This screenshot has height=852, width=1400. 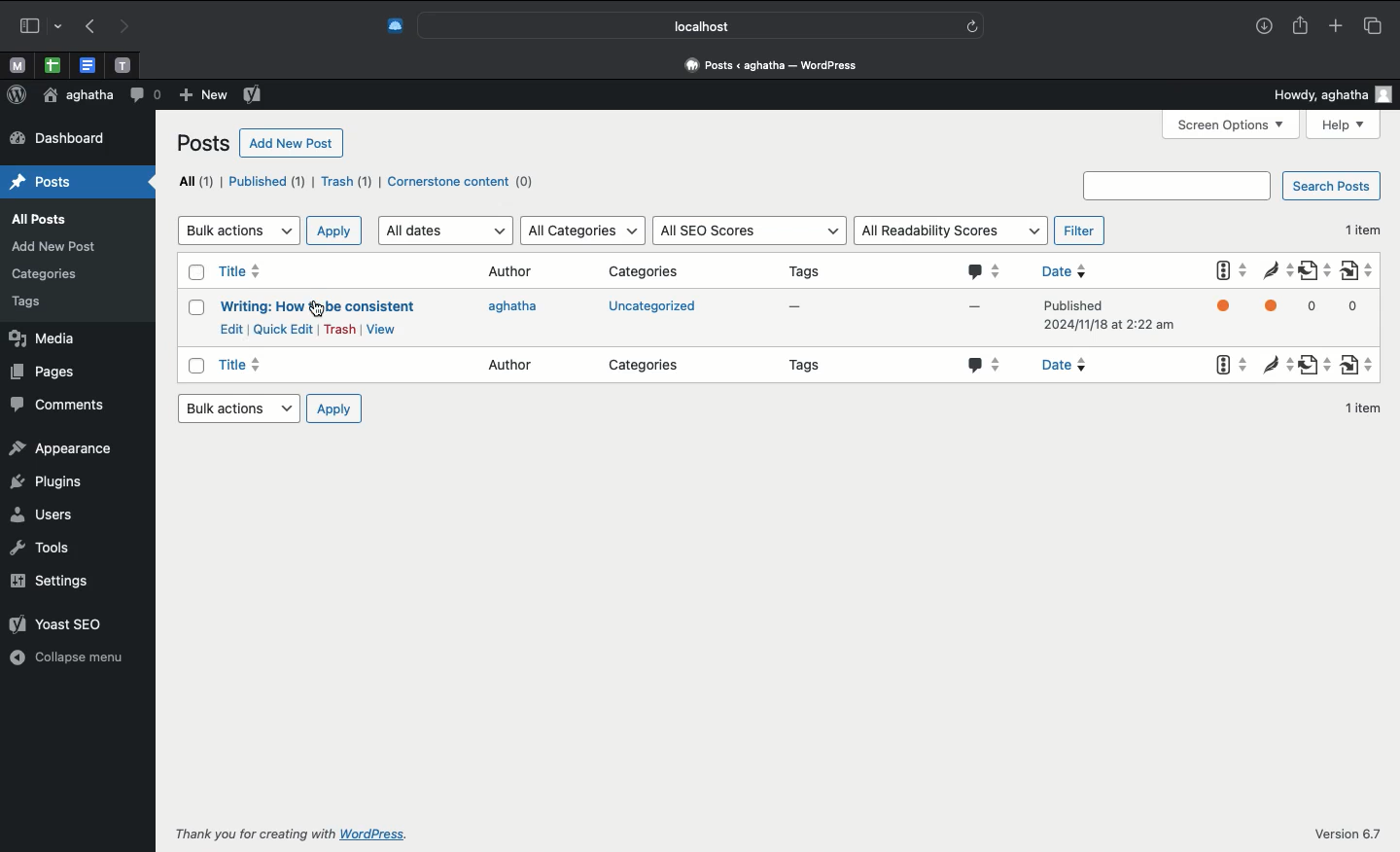 I want to click on Yoast , so click(x=253, y=95).